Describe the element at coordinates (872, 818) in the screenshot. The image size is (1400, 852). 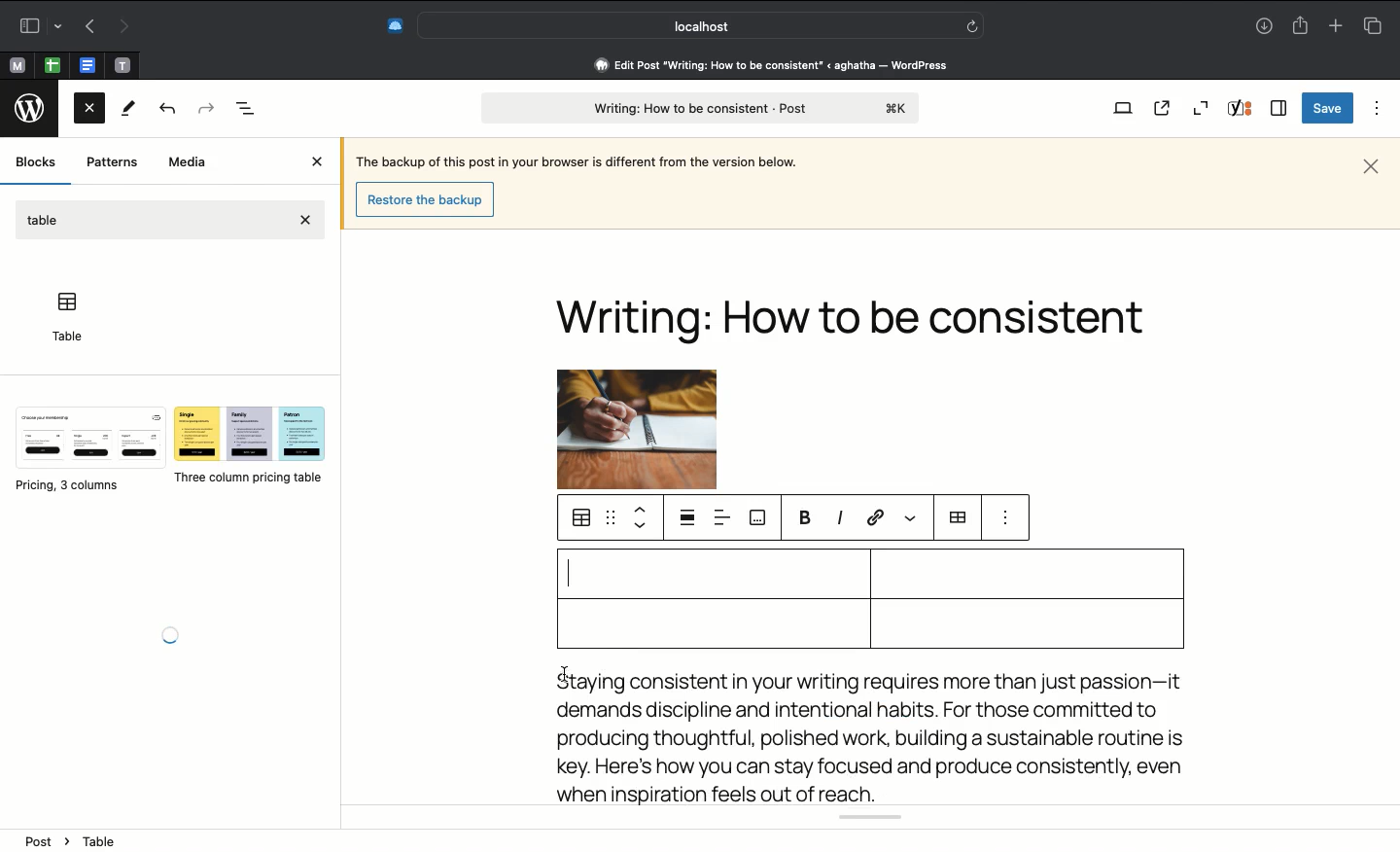
I see `Yoast SEO` at that location.